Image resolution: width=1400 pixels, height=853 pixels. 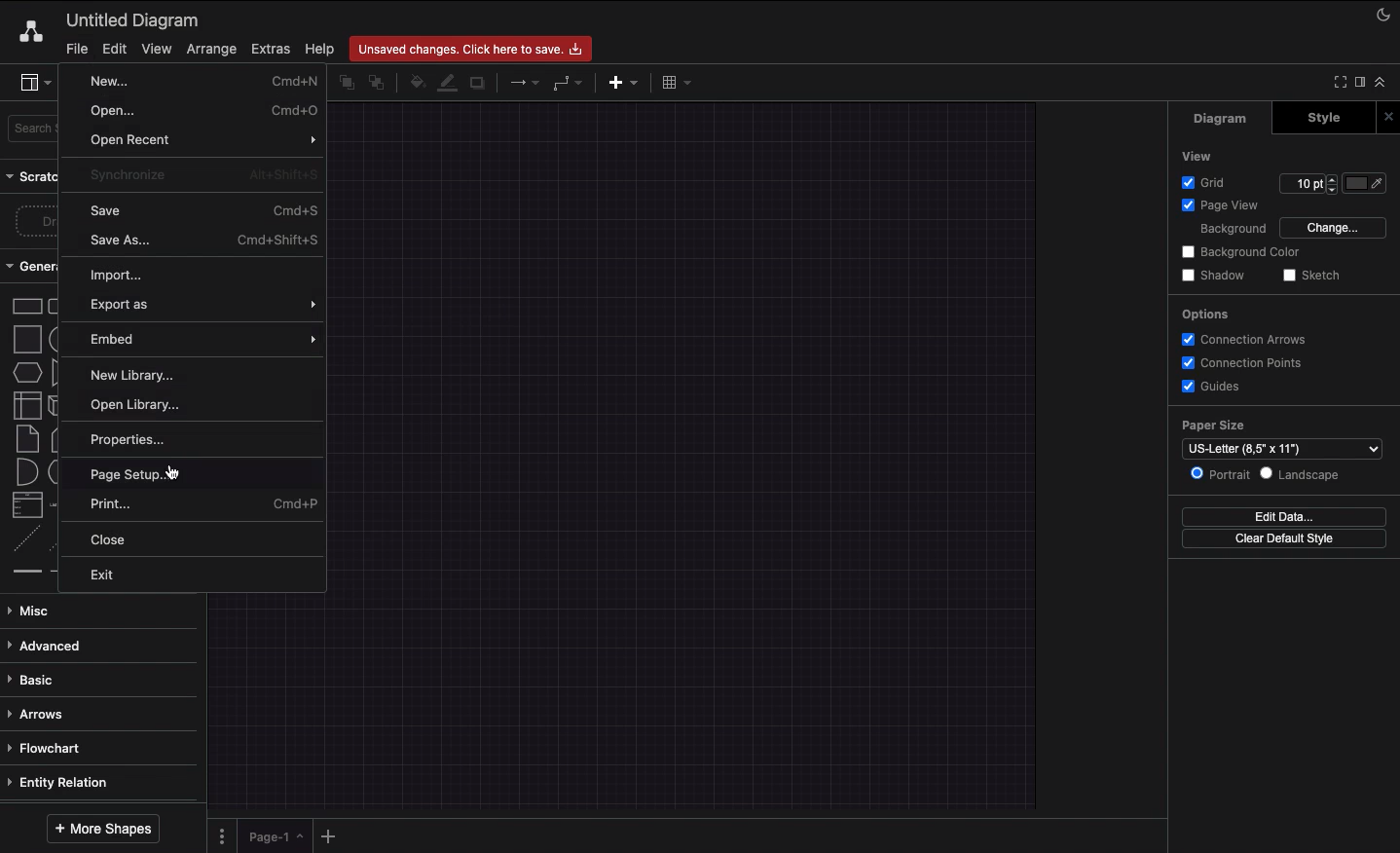 I want to click on Misc, so click(x=34, y=611).